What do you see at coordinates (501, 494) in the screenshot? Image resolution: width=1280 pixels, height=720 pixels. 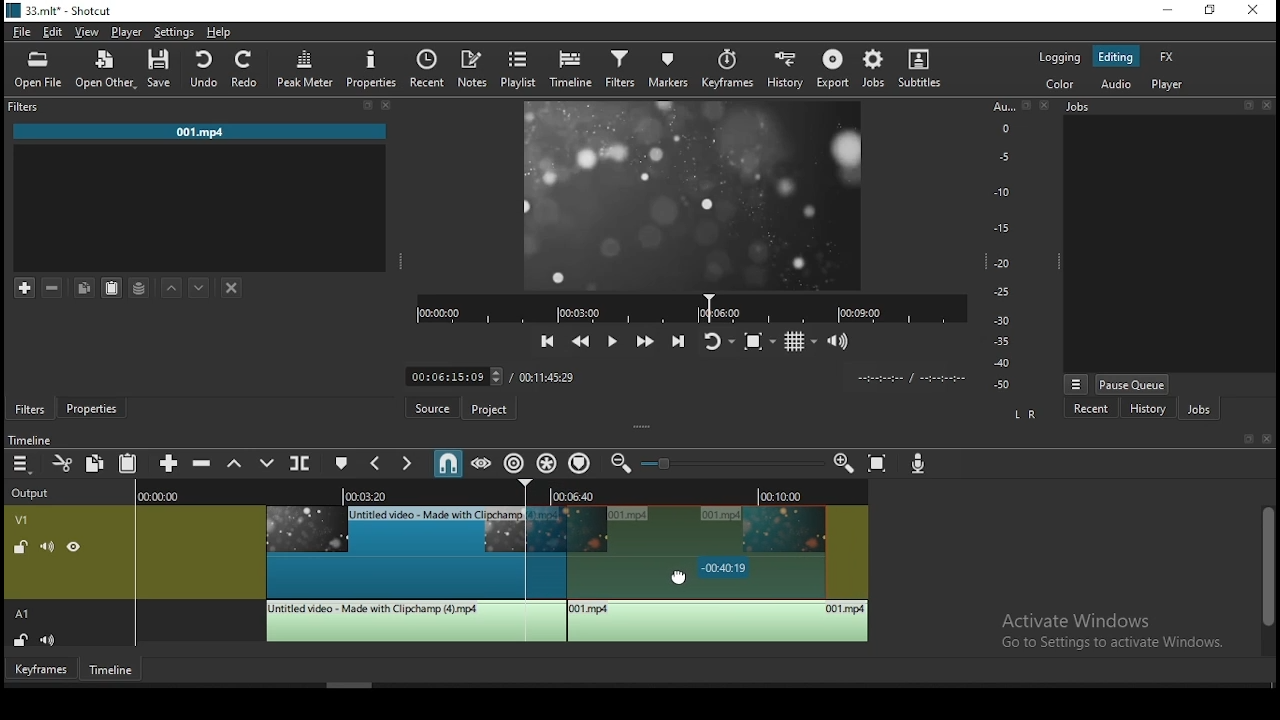 I see `timestamps` at bounding box center [501, 494].